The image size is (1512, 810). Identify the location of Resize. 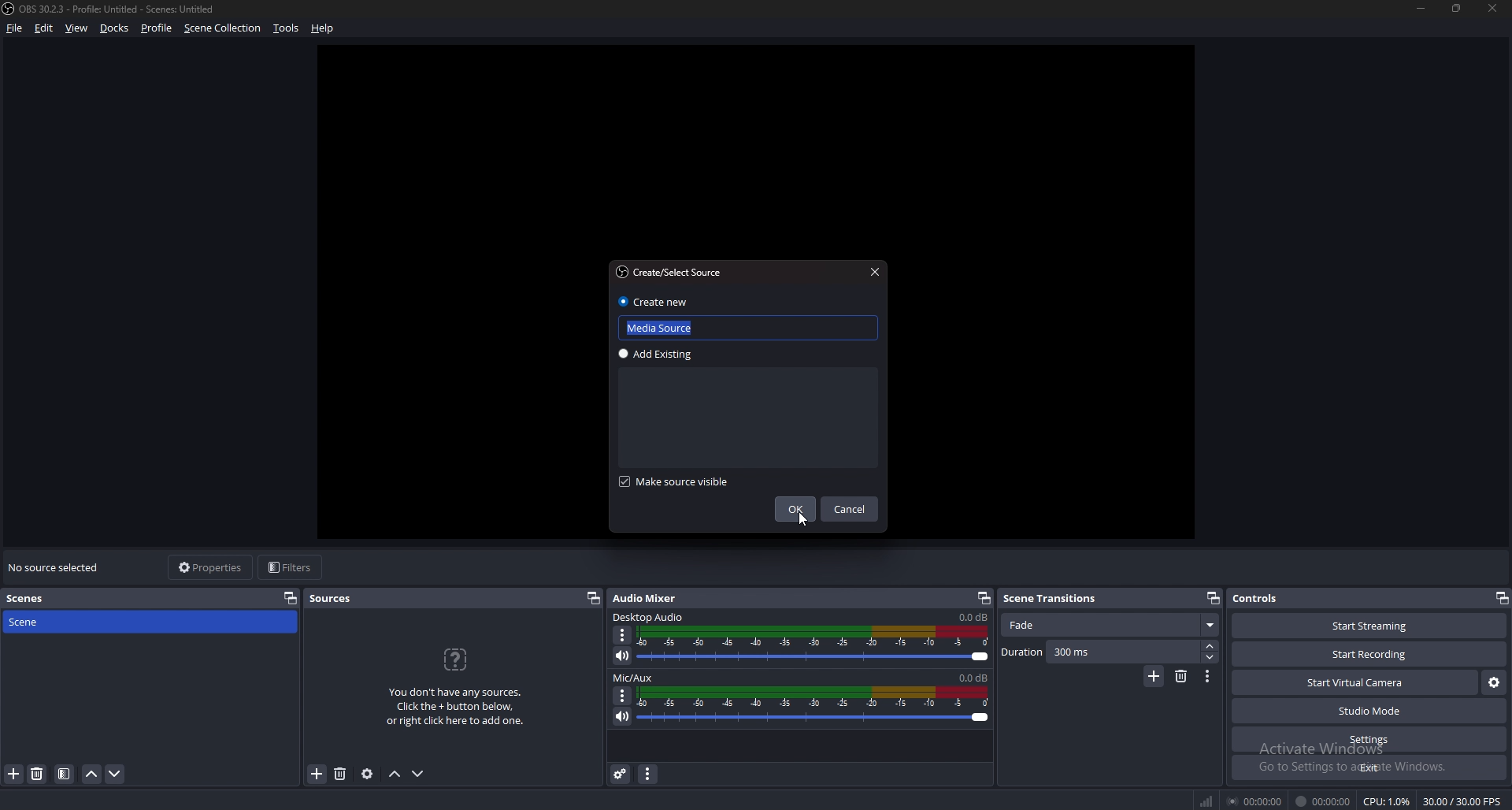
(1457, 7).